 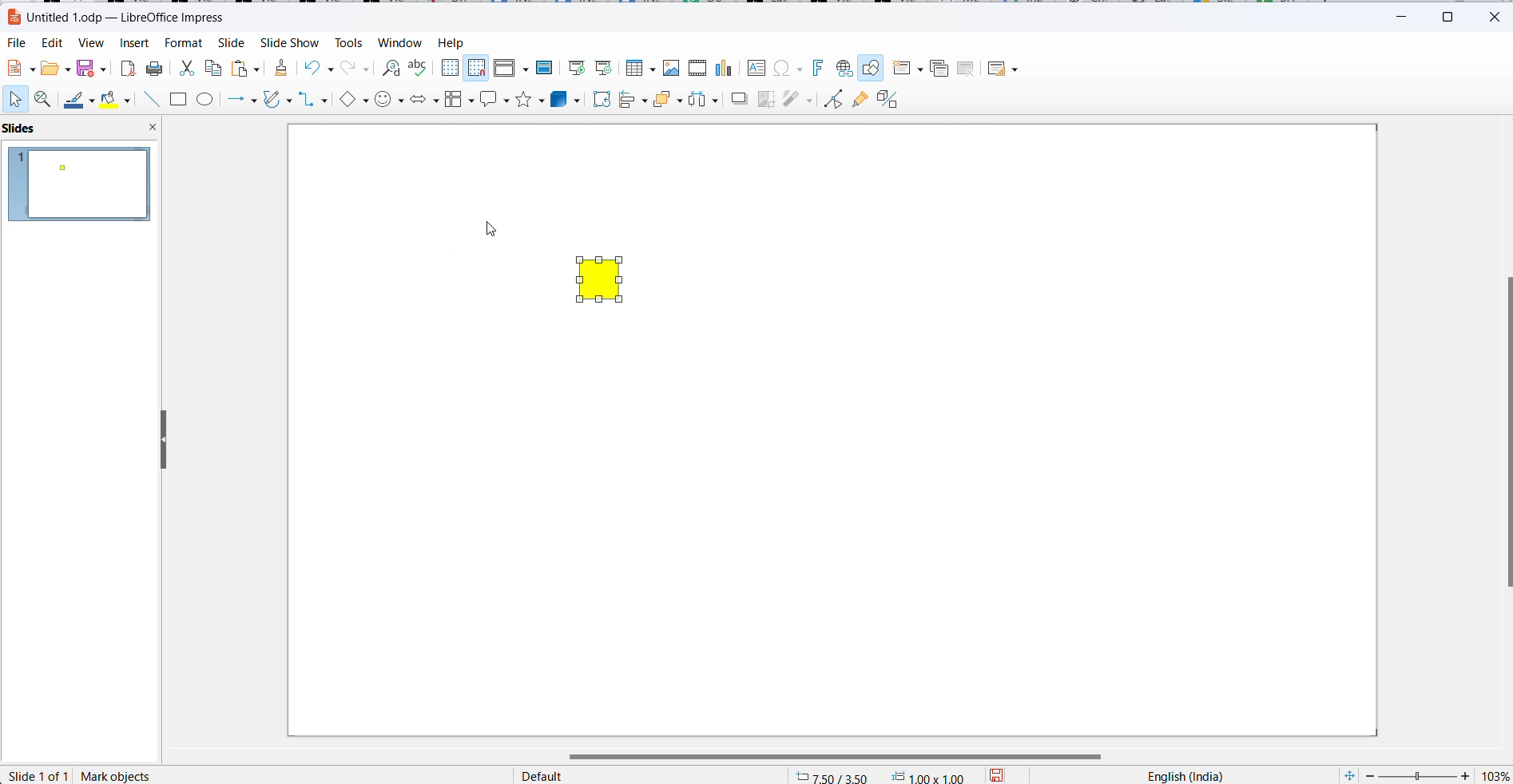 I want to click on Insert audio video, so click(x=699, y=69).